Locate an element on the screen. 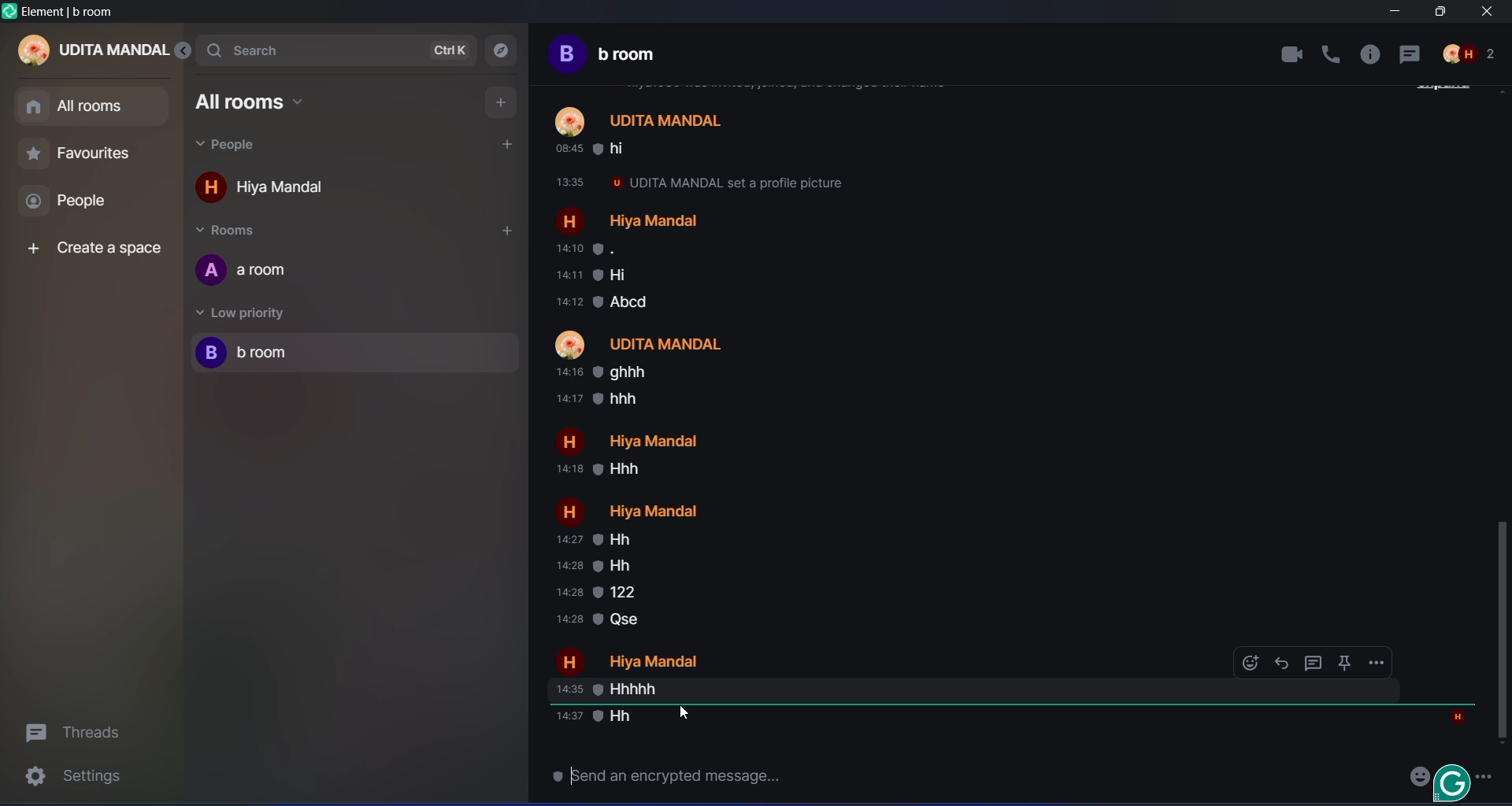 This screenshot has width=1512, height=806. udita mandal is located at coordinates (84, 48).